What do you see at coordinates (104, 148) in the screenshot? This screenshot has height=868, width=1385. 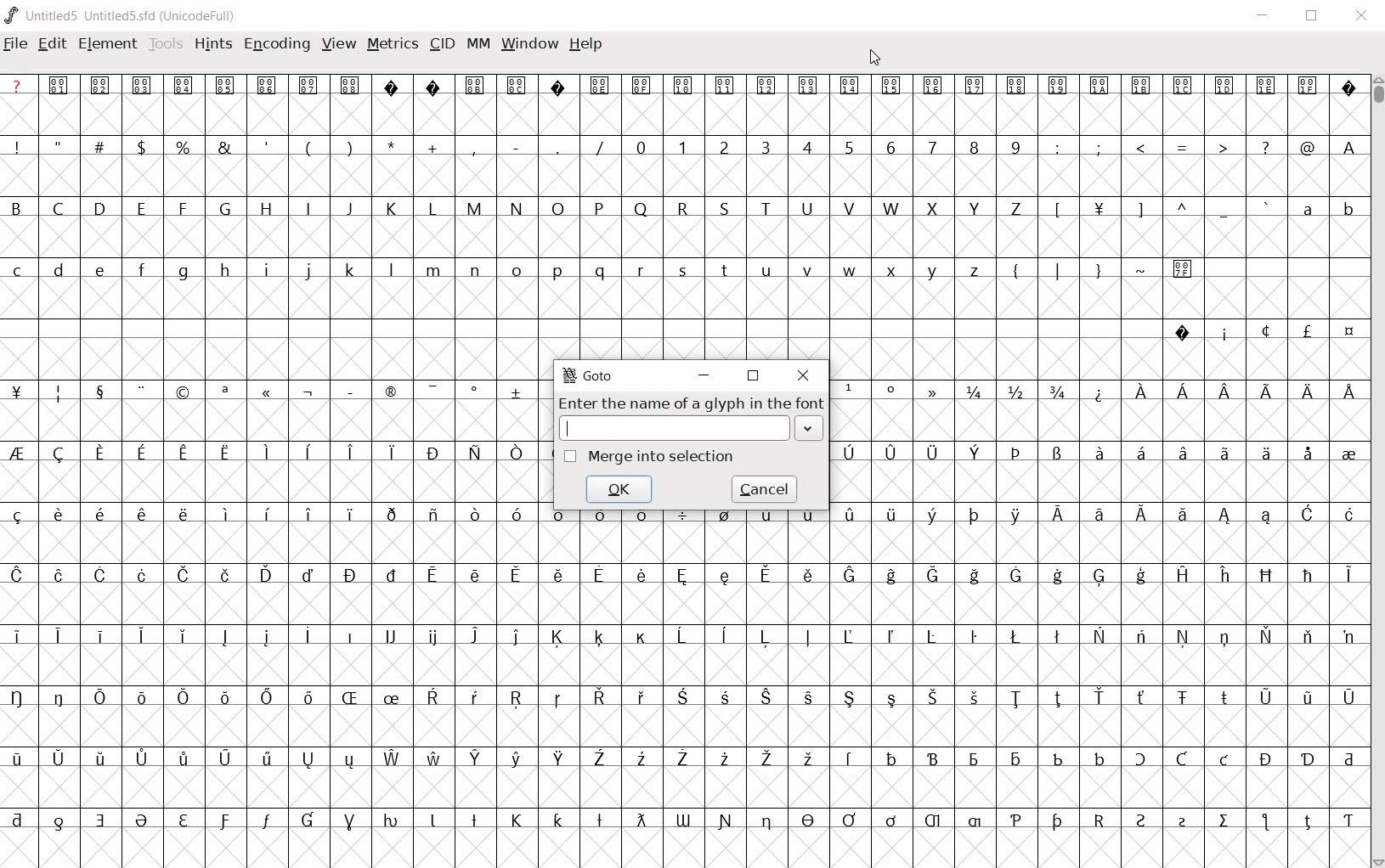 I see `#` at bounding box center [104, 148].